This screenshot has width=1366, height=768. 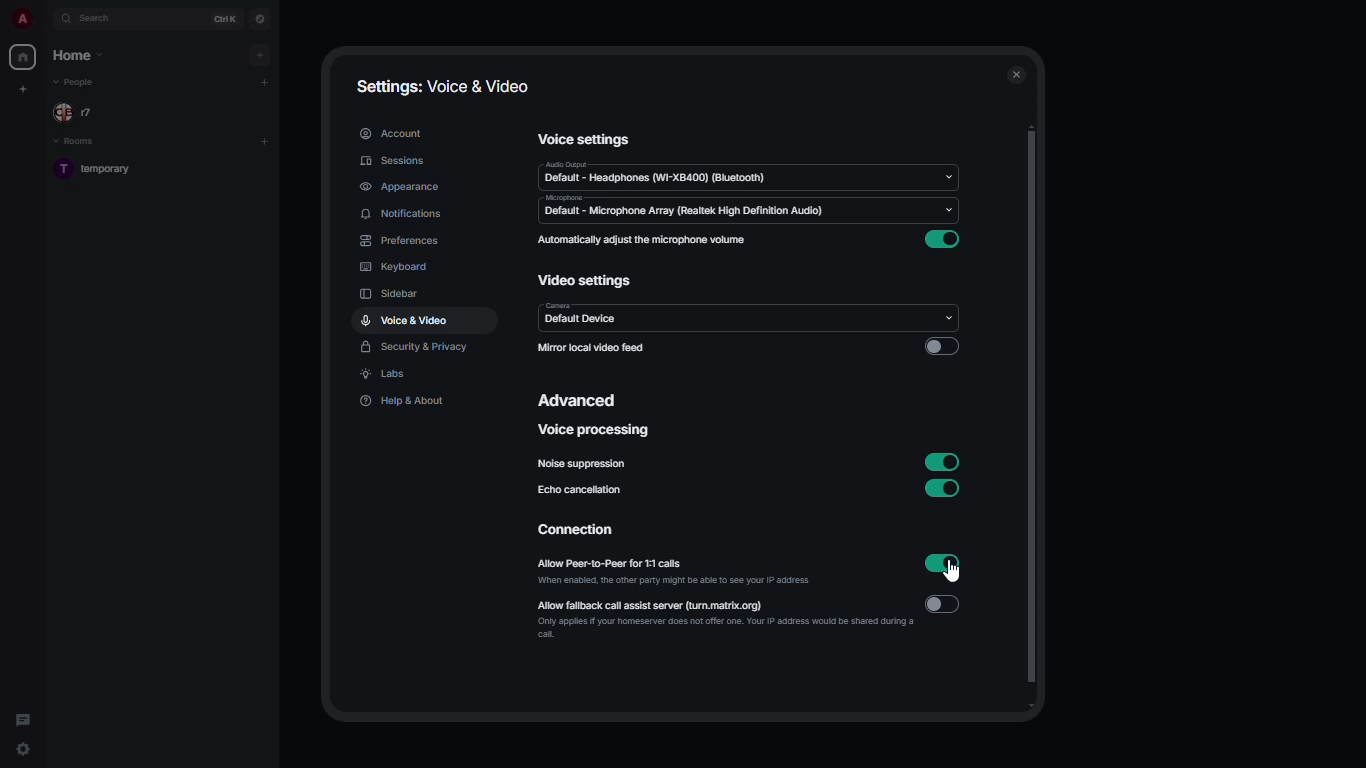 What do you see at coordinates (946, 606) in the screenshot?
I see `disabled` at bounding box center [946, 606].